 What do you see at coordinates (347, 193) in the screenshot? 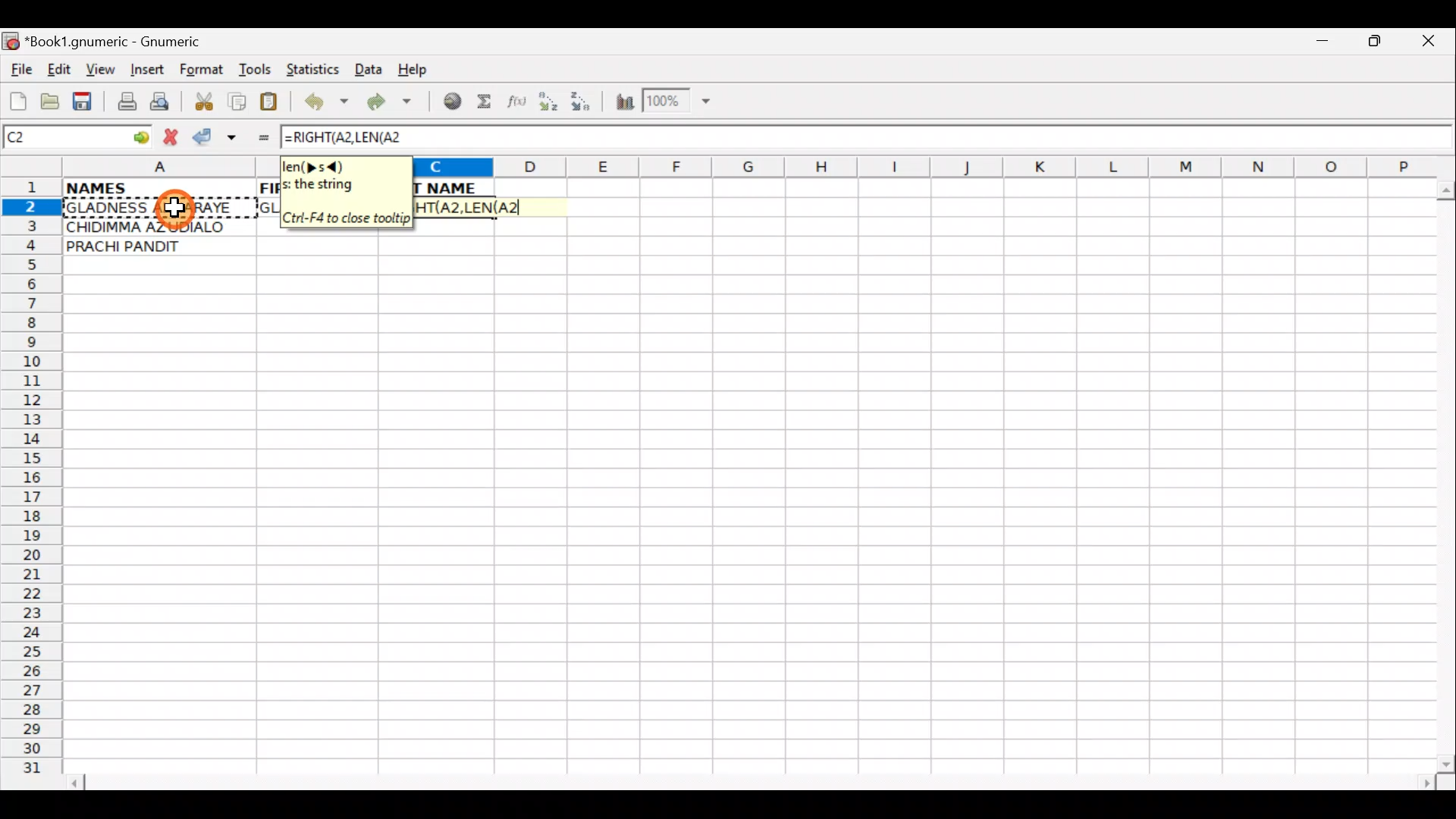
I see `en(>s<)s; the string. Ctrl+F4 to close tooltip.` at bounding box center [347, 193].